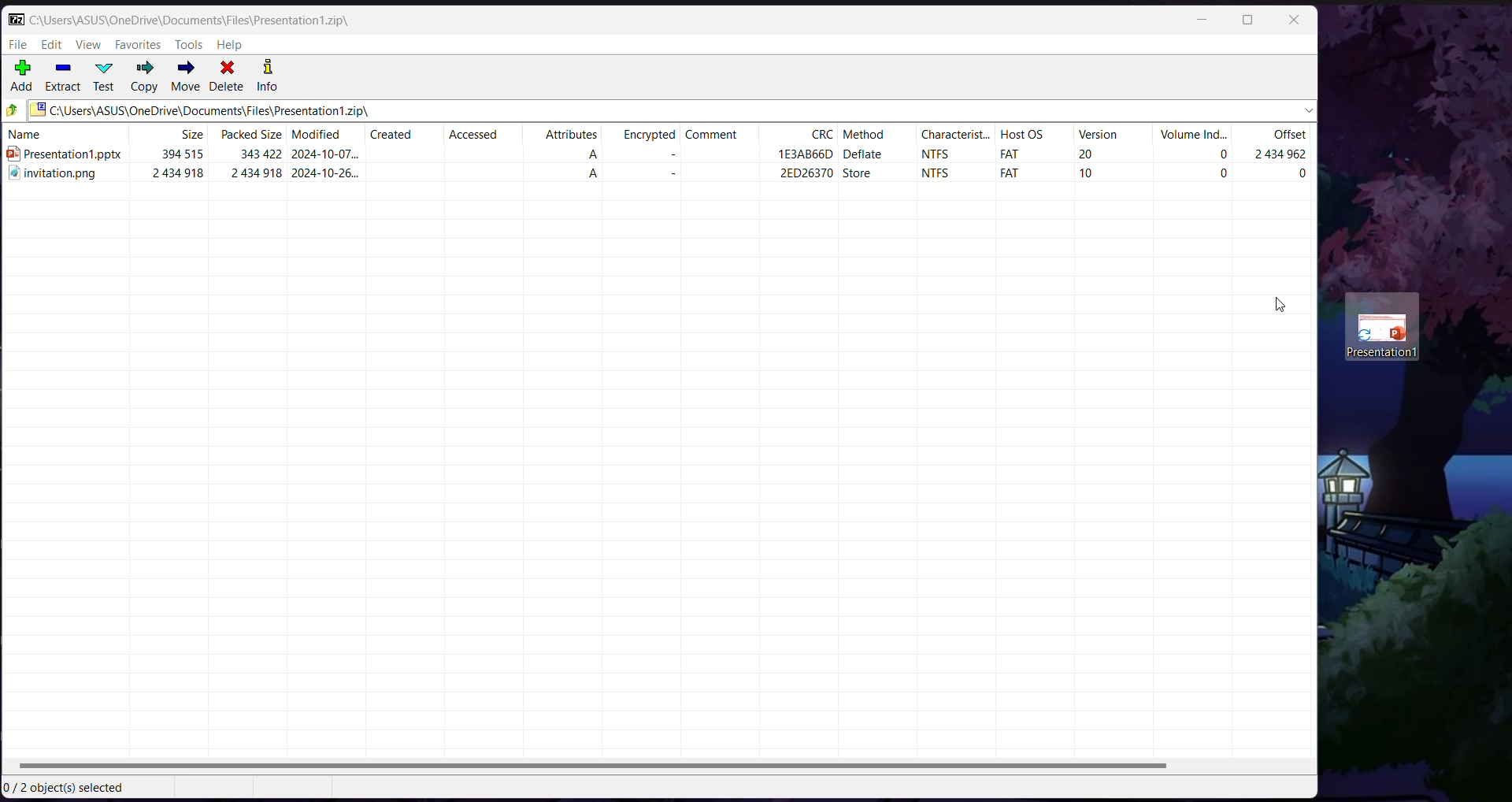  I want to click on FAT, so click(1006, 173).